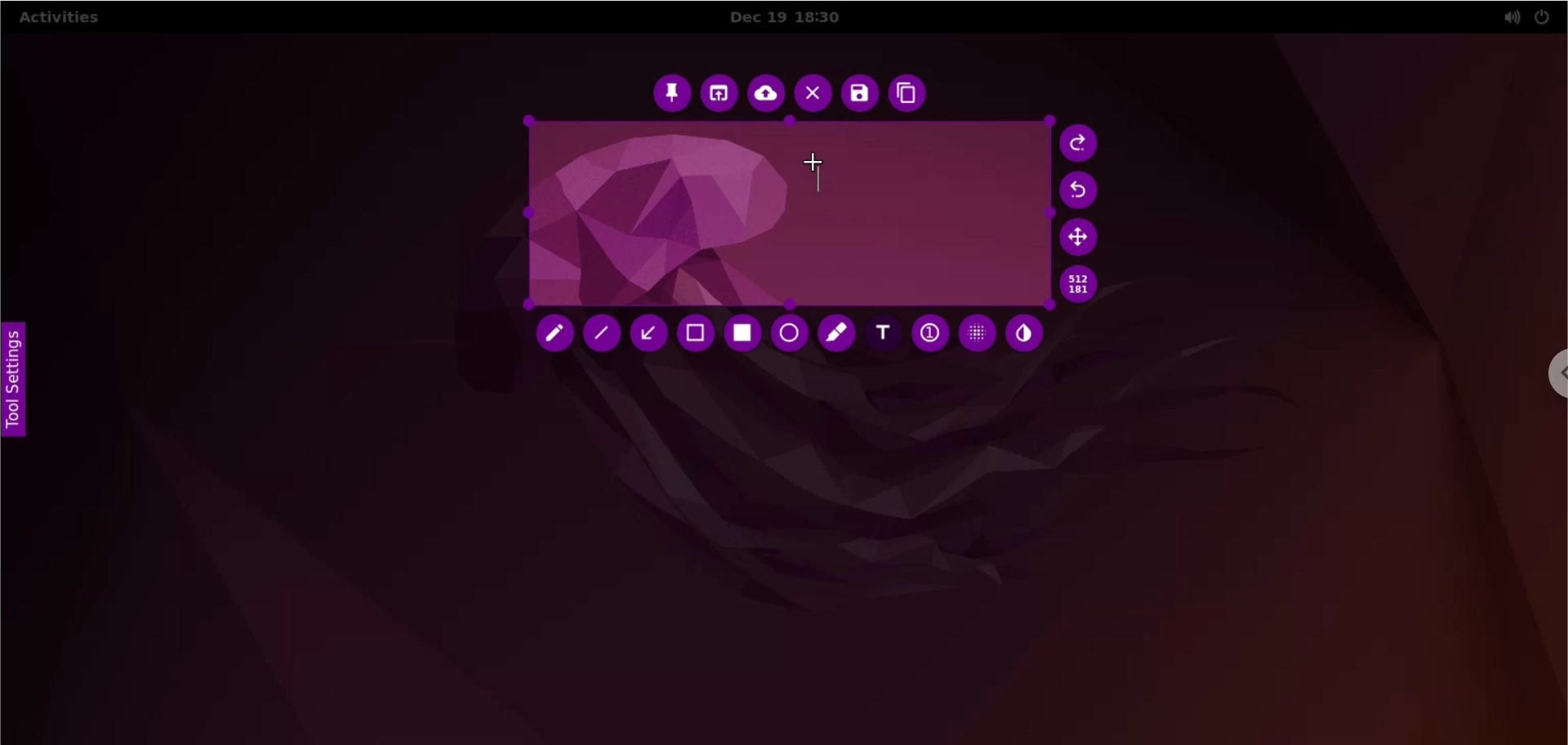 The width and height of the screenshot is (1568, 745). What do you see at coordinates (602, 335) in the screenshot?
I see `line tool` at bounding box center [602, 335].